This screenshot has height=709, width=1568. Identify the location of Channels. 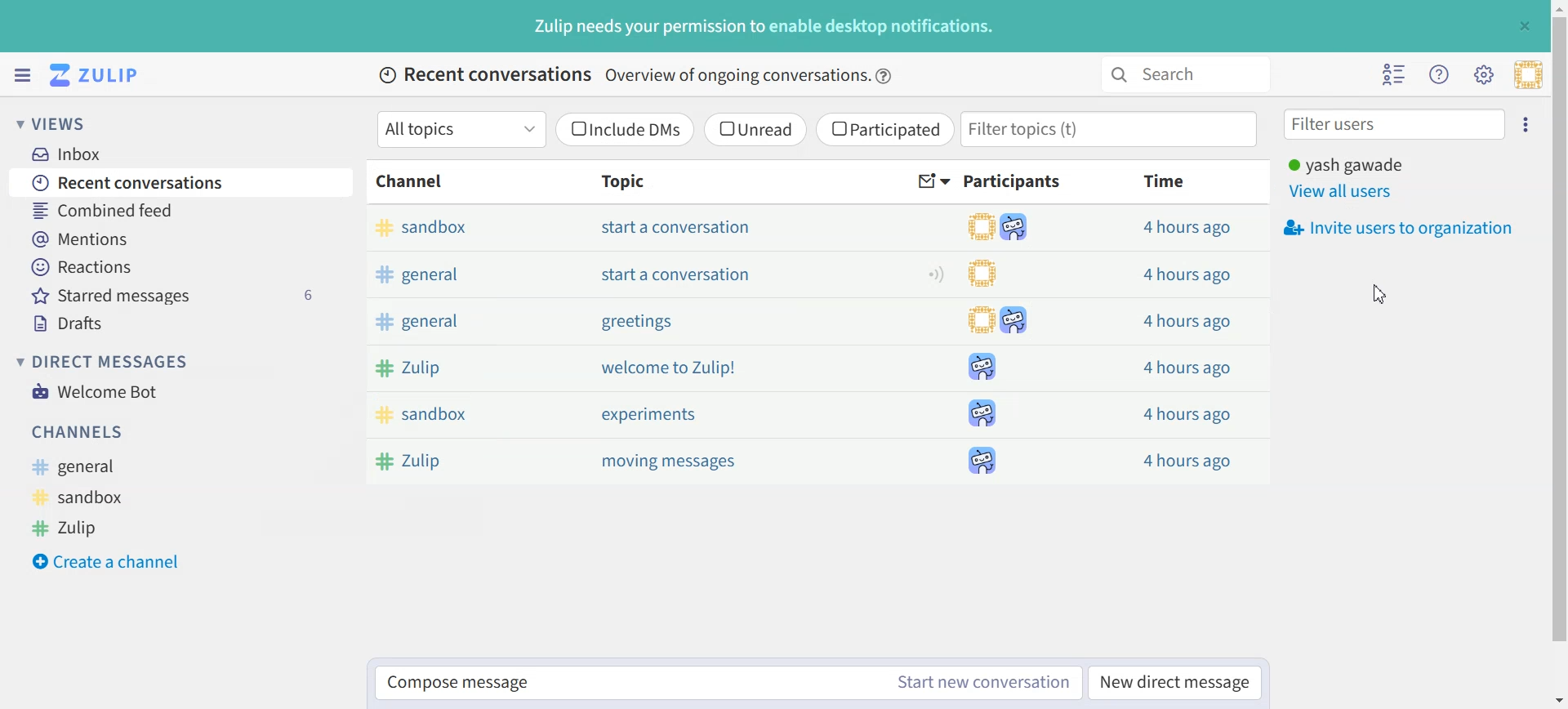
(80, 431).